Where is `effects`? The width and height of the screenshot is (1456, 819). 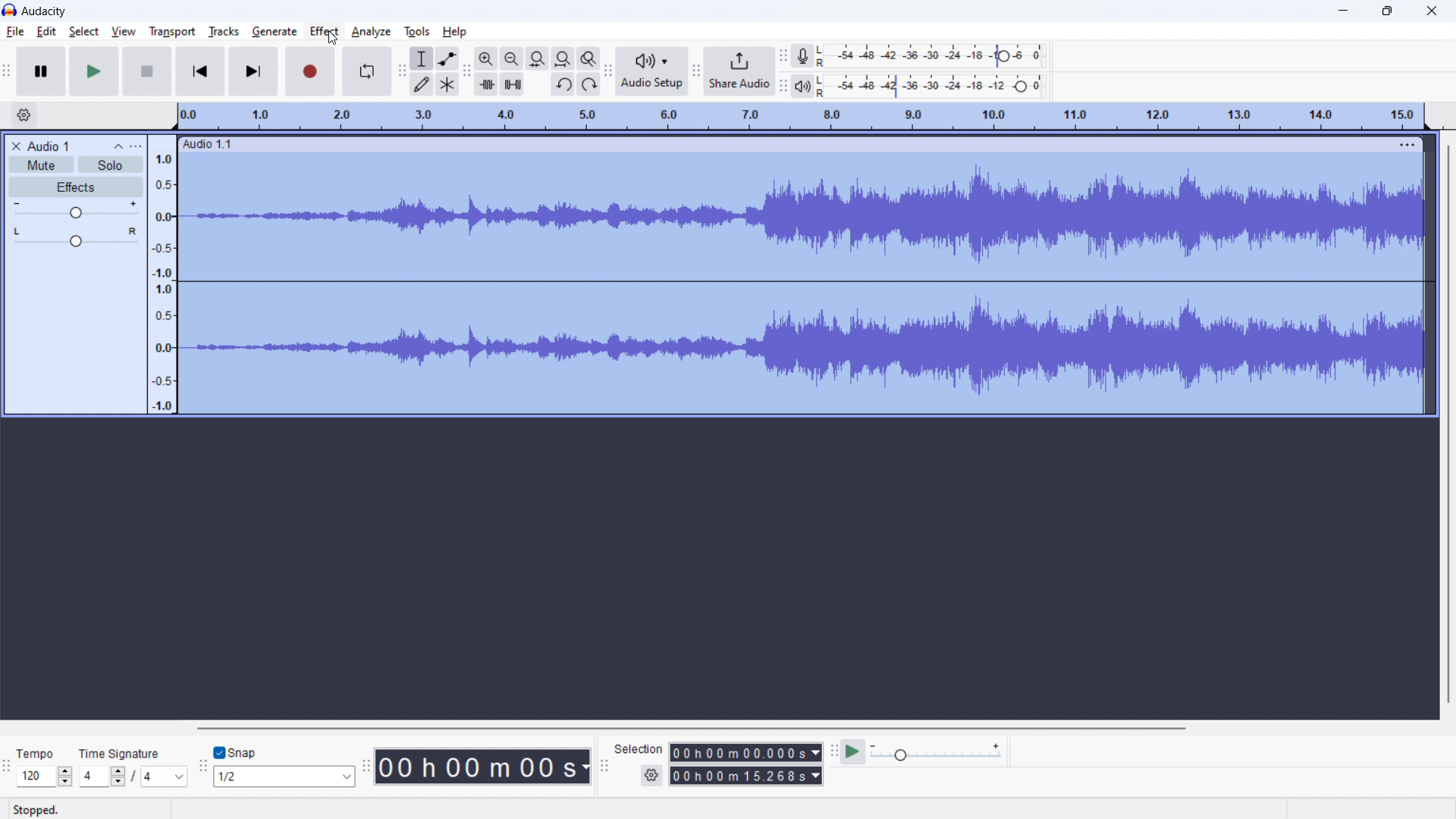 effects is located at coordinates (75, 187).